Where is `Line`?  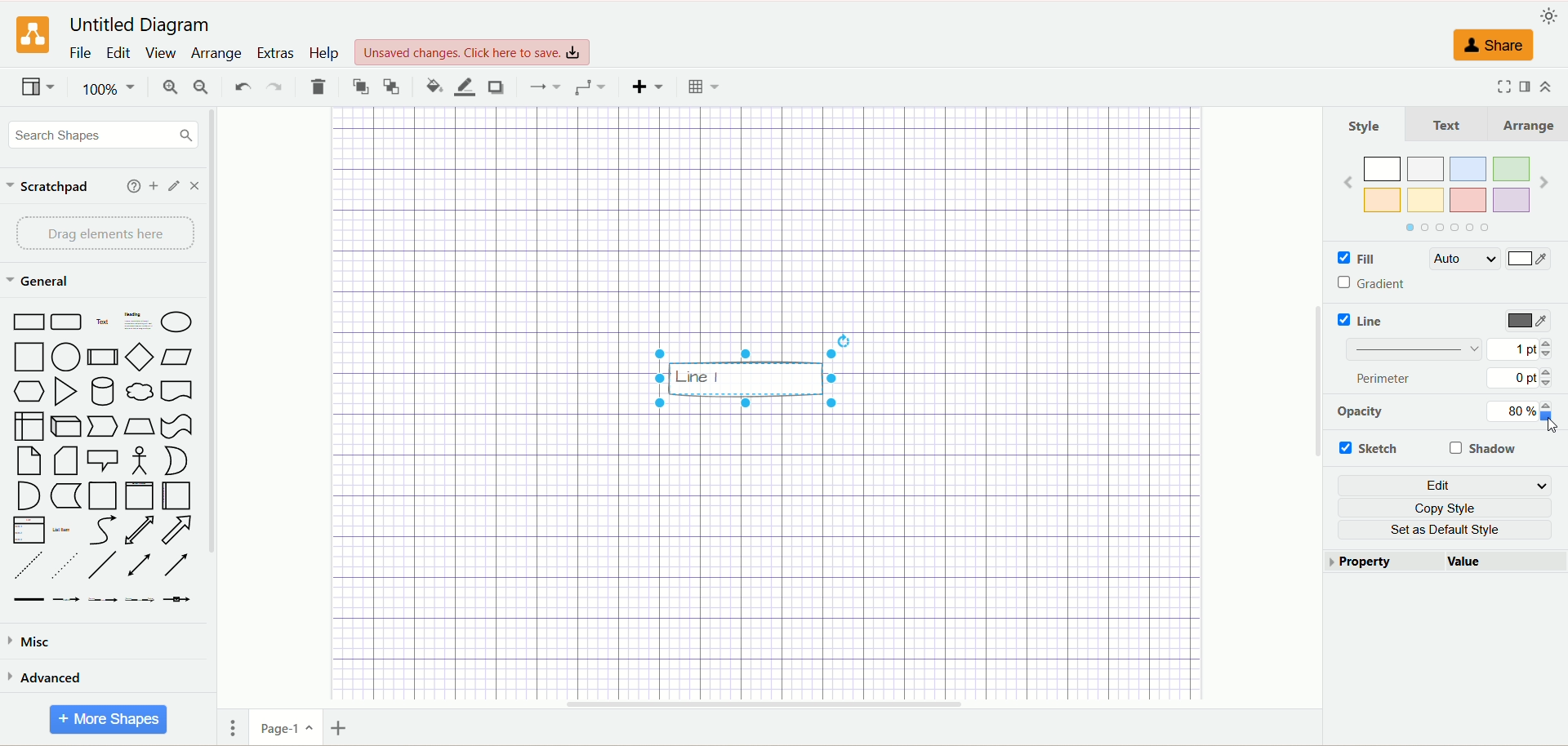
Line is located at coordinates (103, 566).